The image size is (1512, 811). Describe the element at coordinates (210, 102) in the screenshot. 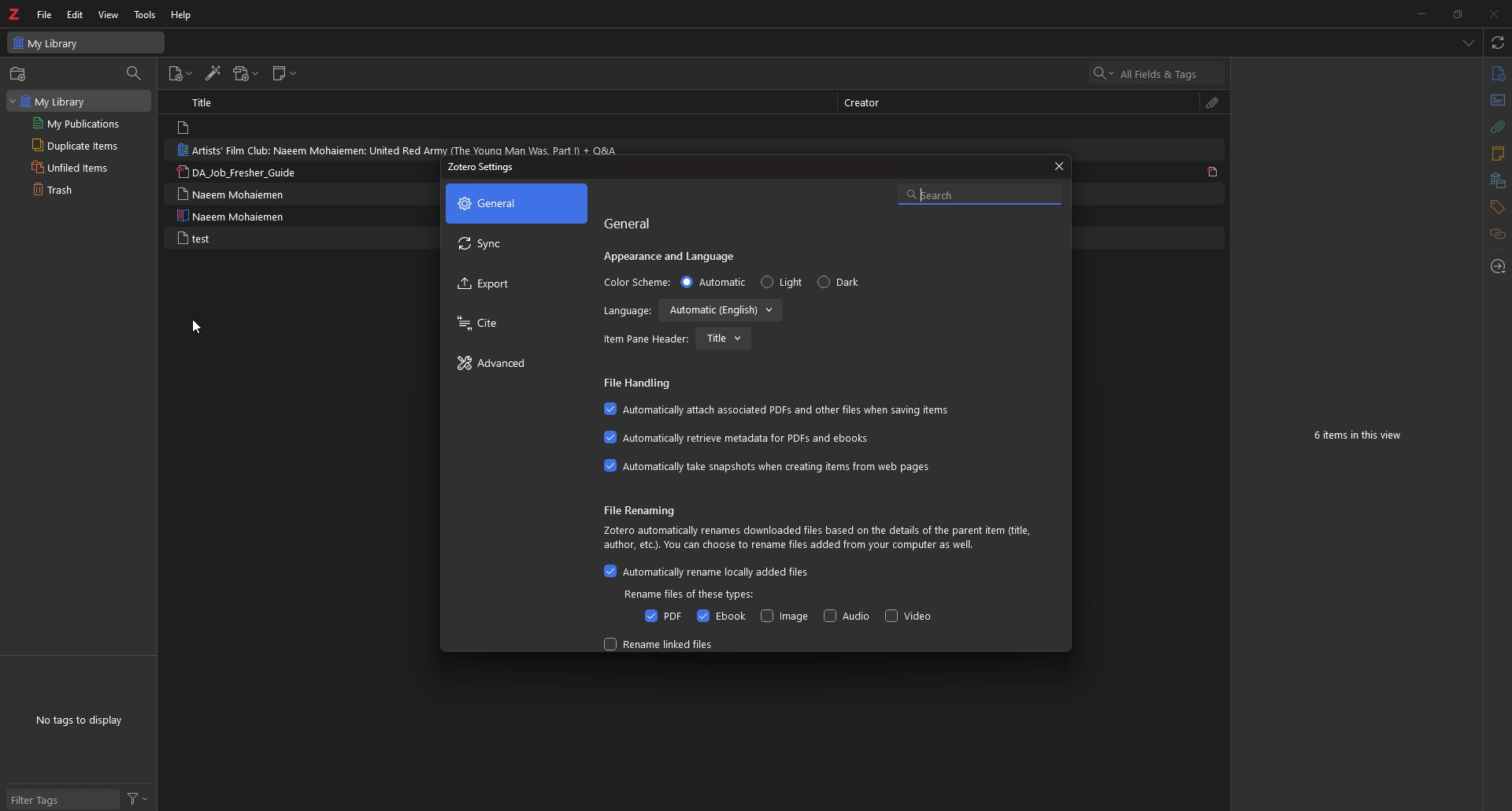

I see `title` at that location.